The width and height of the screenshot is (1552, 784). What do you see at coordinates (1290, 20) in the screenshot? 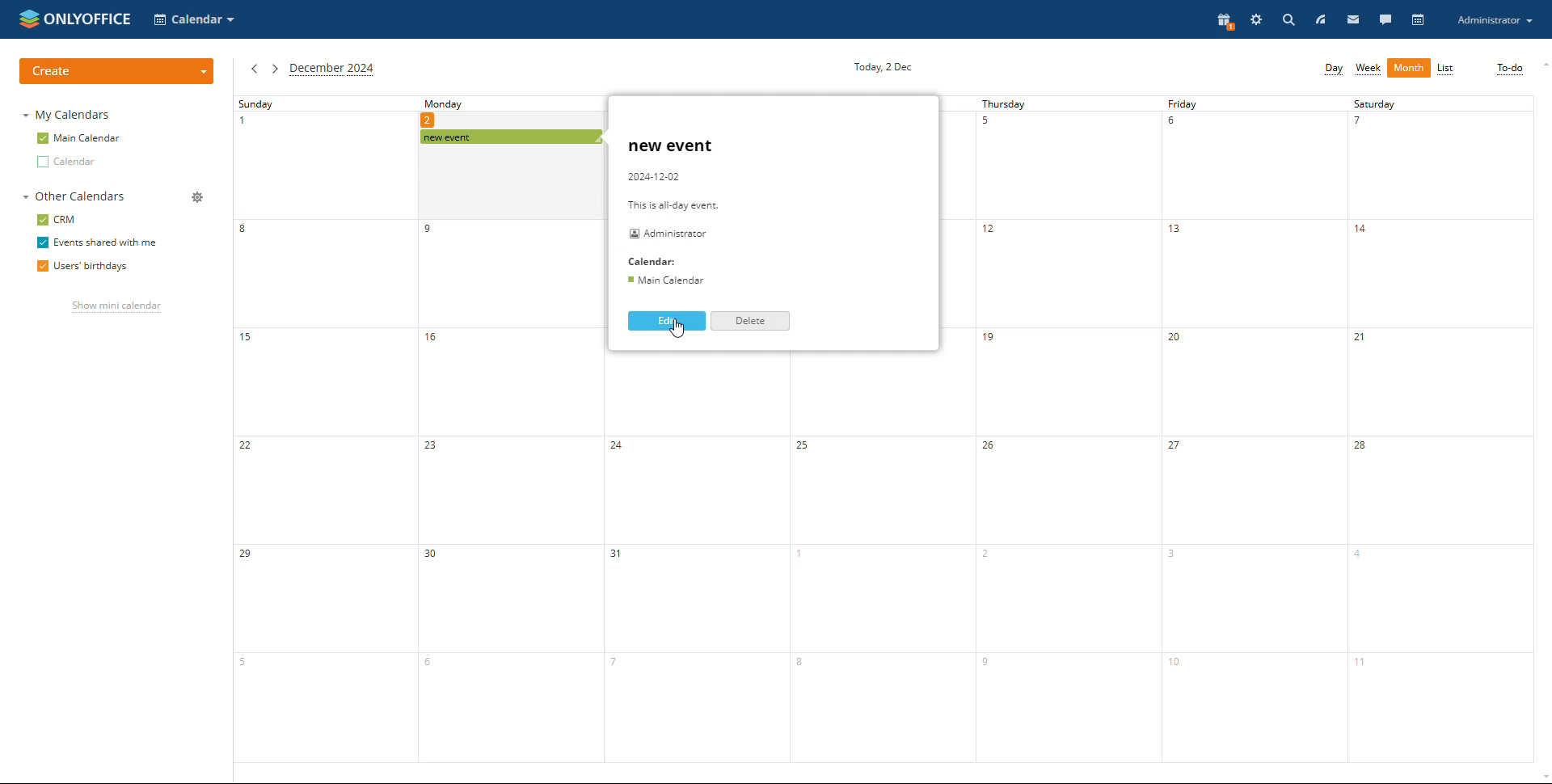
I see `search` at bounding box center [1290, 20].